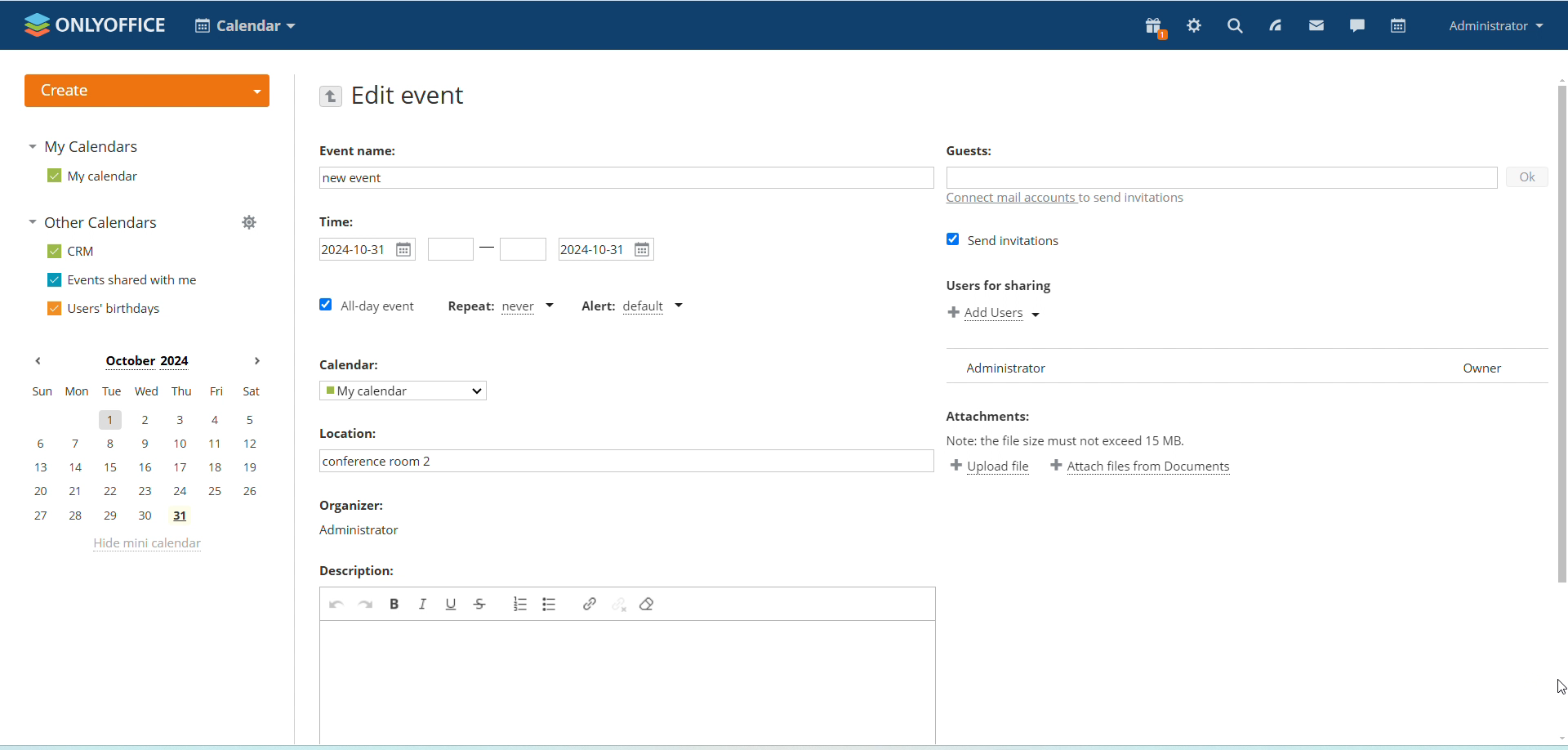 The width and height of the screenshot is (1568, 750). I want to click on all day event checkbox, so click(365, 305).